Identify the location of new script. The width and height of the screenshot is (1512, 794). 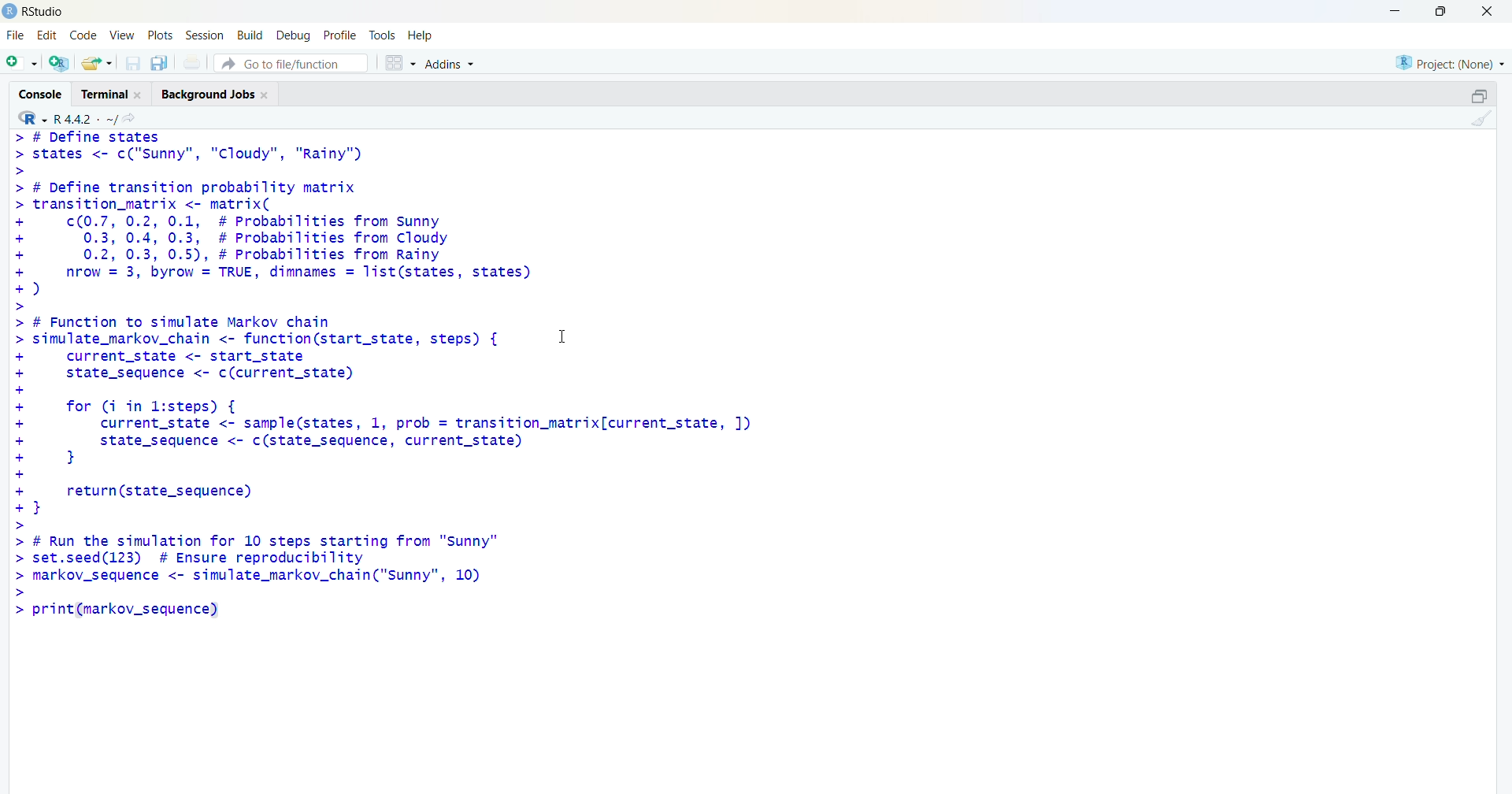
(21, 62).